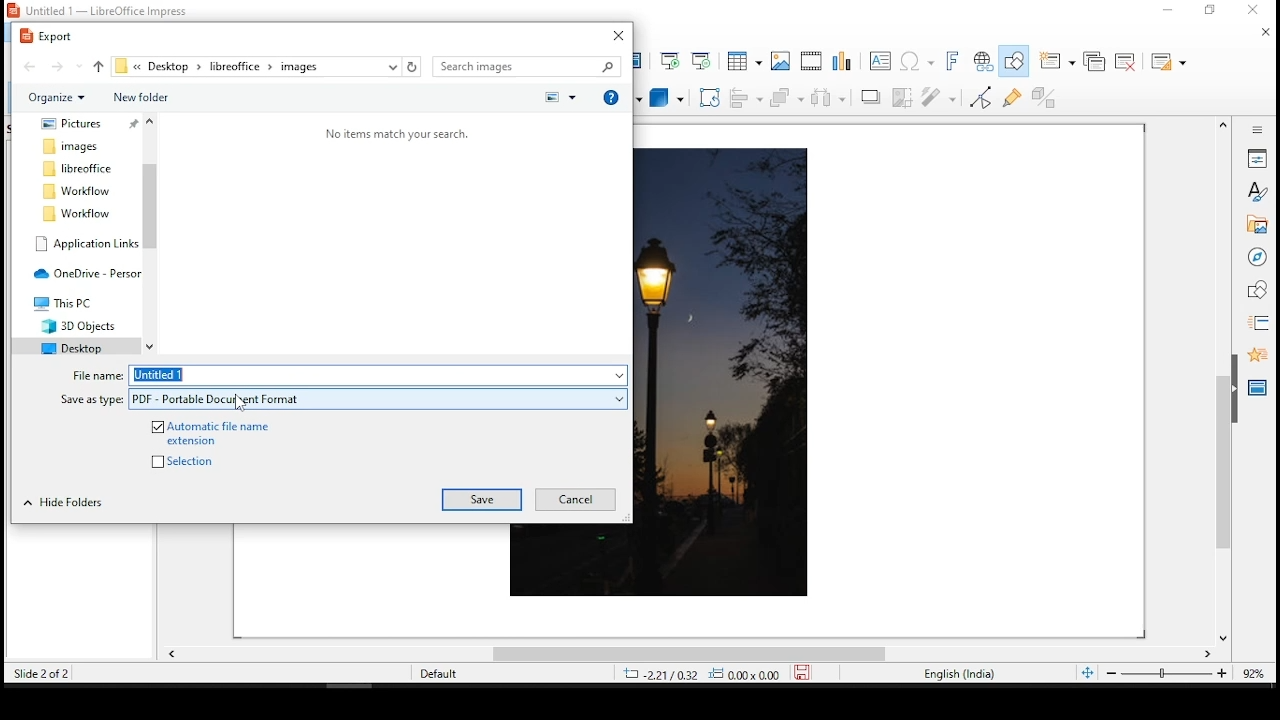  What do you see at coordinates (665, 99) in the screenshot?
I see `3D objects` at bounding box center [665, 99].